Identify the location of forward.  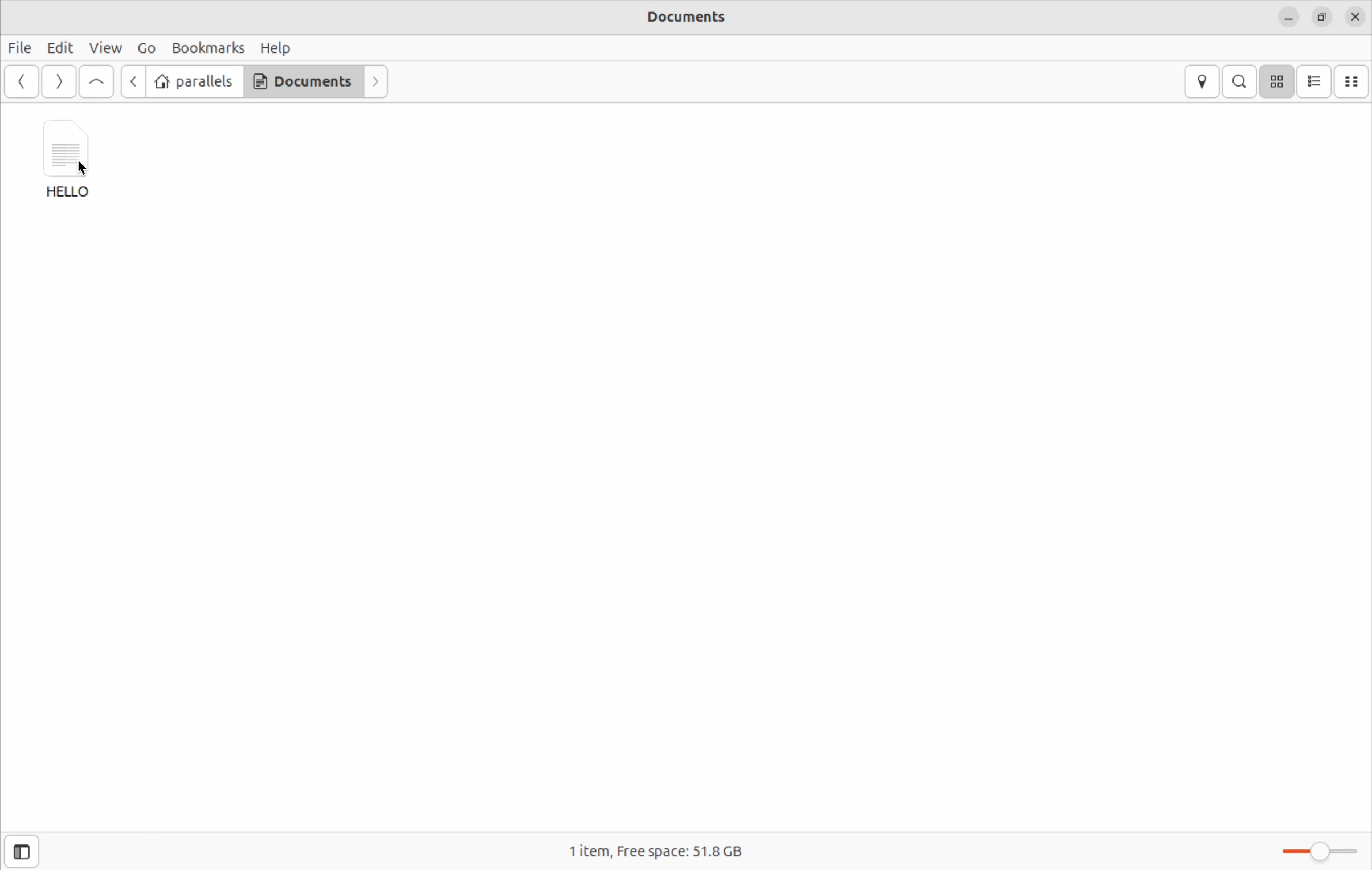
(57, 81).